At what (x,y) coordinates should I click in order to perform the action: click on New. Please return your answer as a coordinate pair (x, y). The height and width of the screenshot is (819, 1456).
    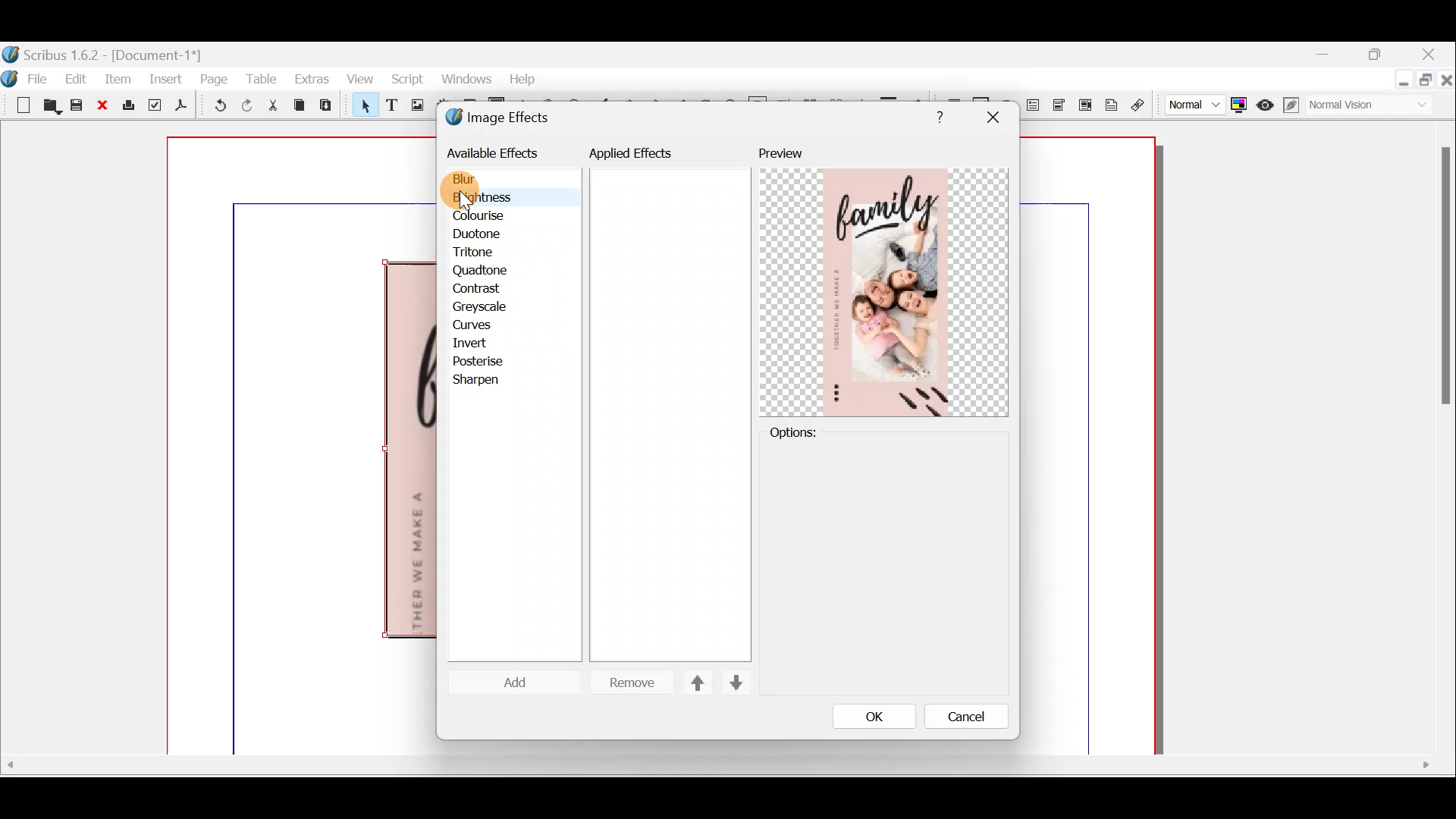
    Looking at the image, I should click on (18, 104).